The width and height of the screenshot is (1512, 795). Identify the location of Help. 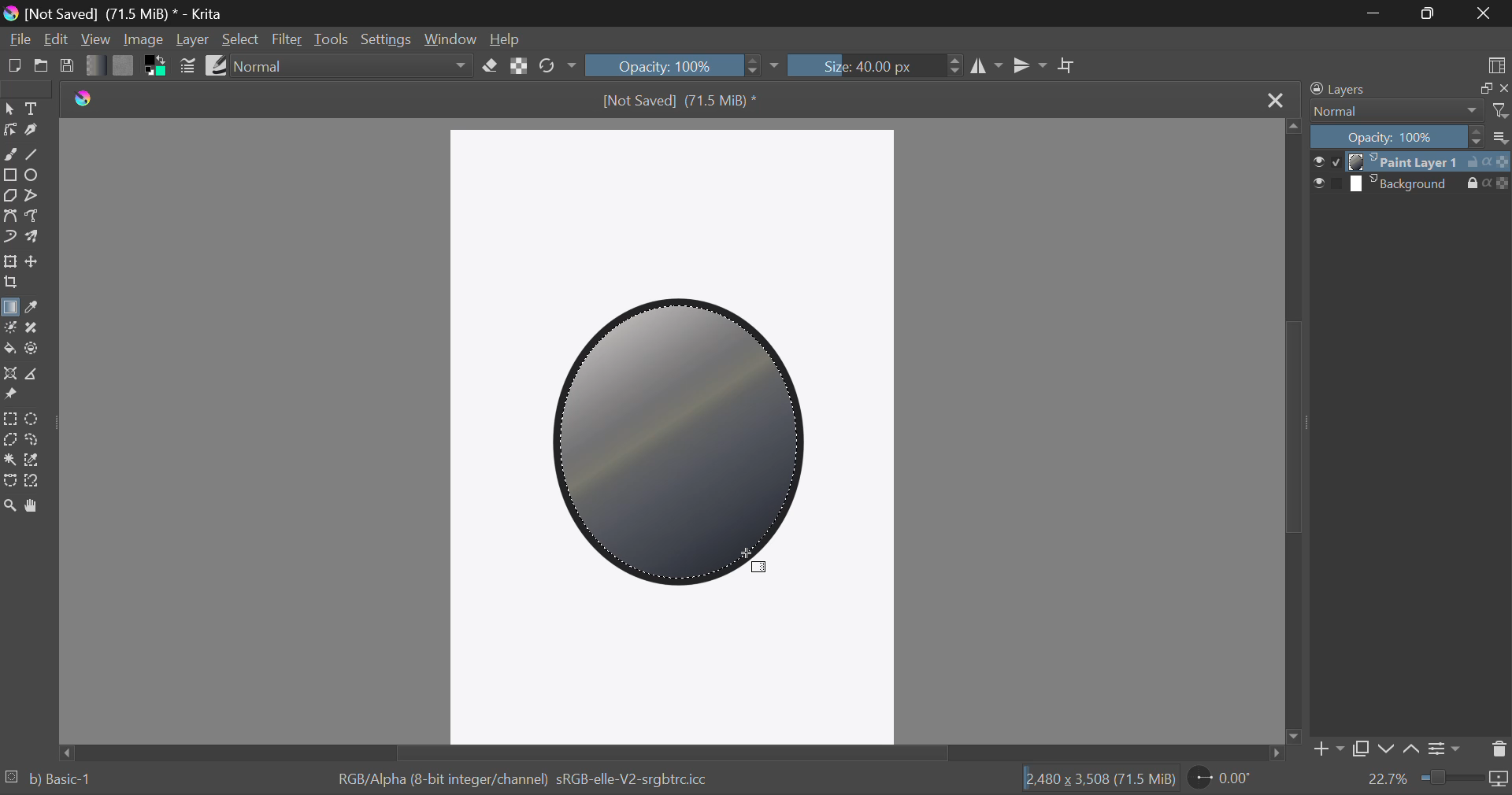
(509, 39).